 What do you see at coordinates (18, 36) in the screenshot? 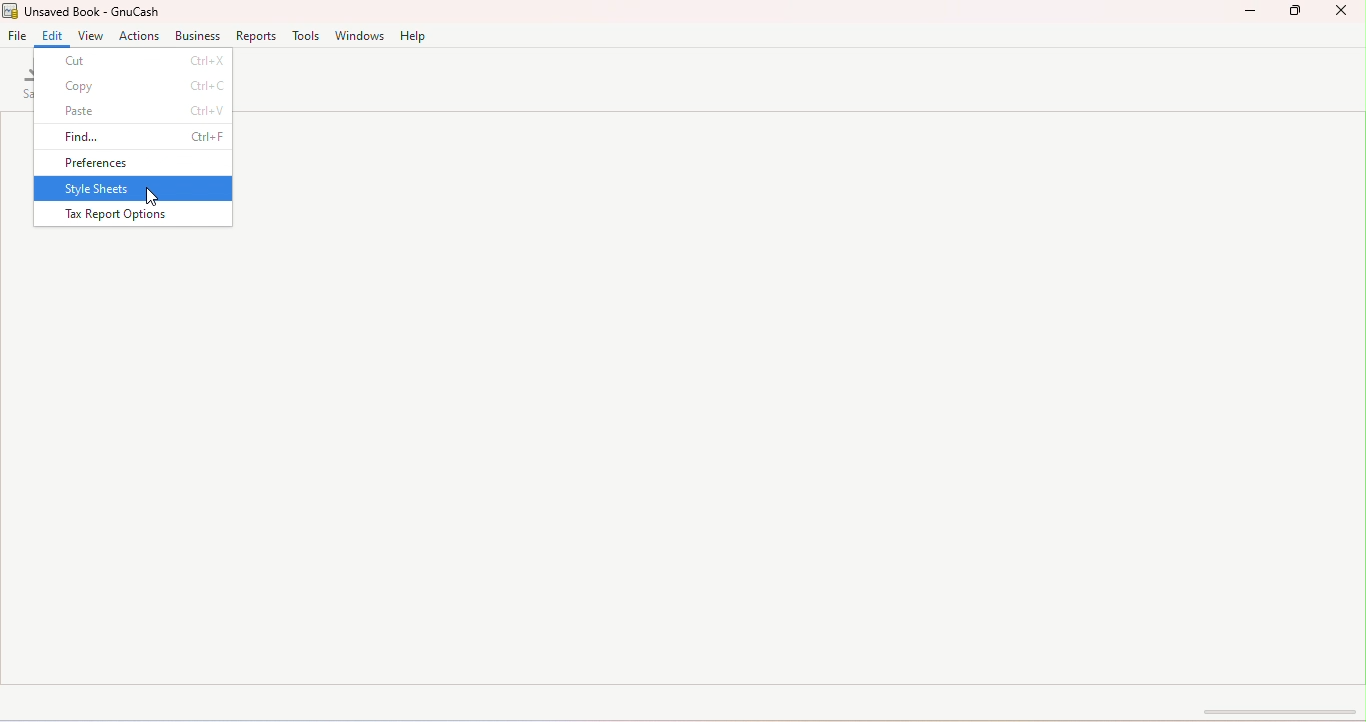
I see `File` at bounding box center [18, 36].